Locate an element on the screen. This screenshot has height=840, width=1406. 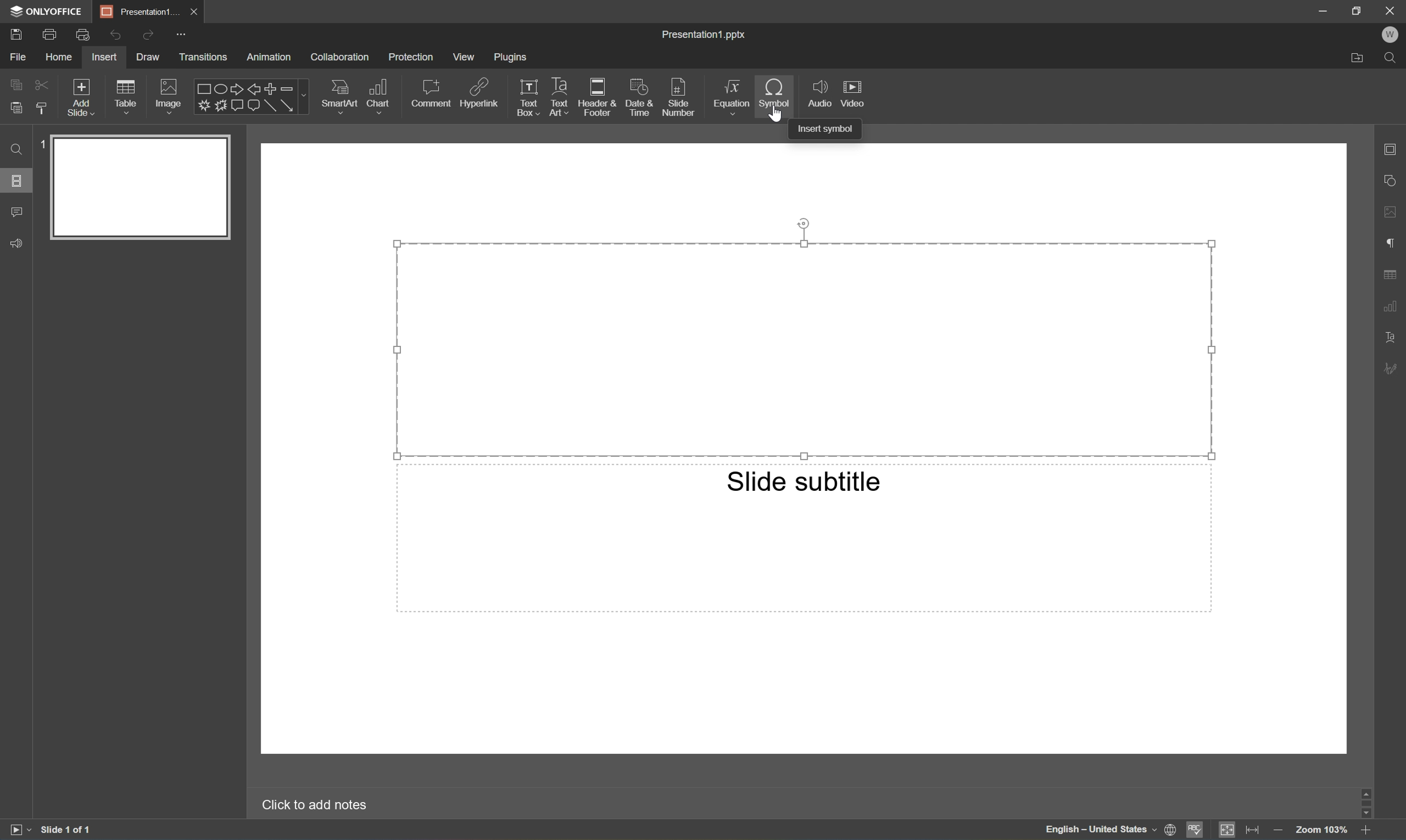
Open file location is located at coordinates (1358, 57).